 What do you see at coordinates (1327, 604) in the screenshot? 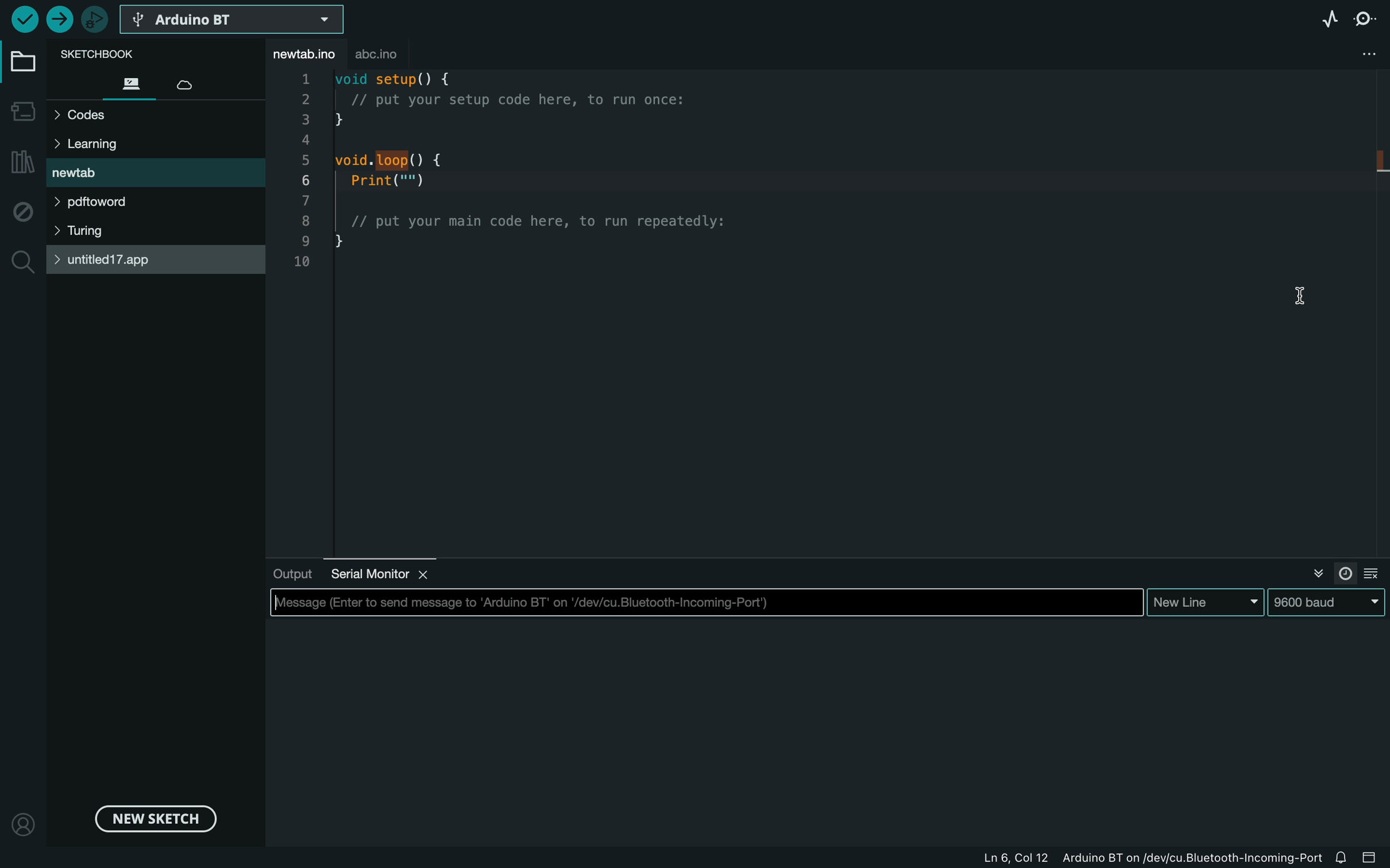
I see `9600baud` at bounding box center [1327, 604].